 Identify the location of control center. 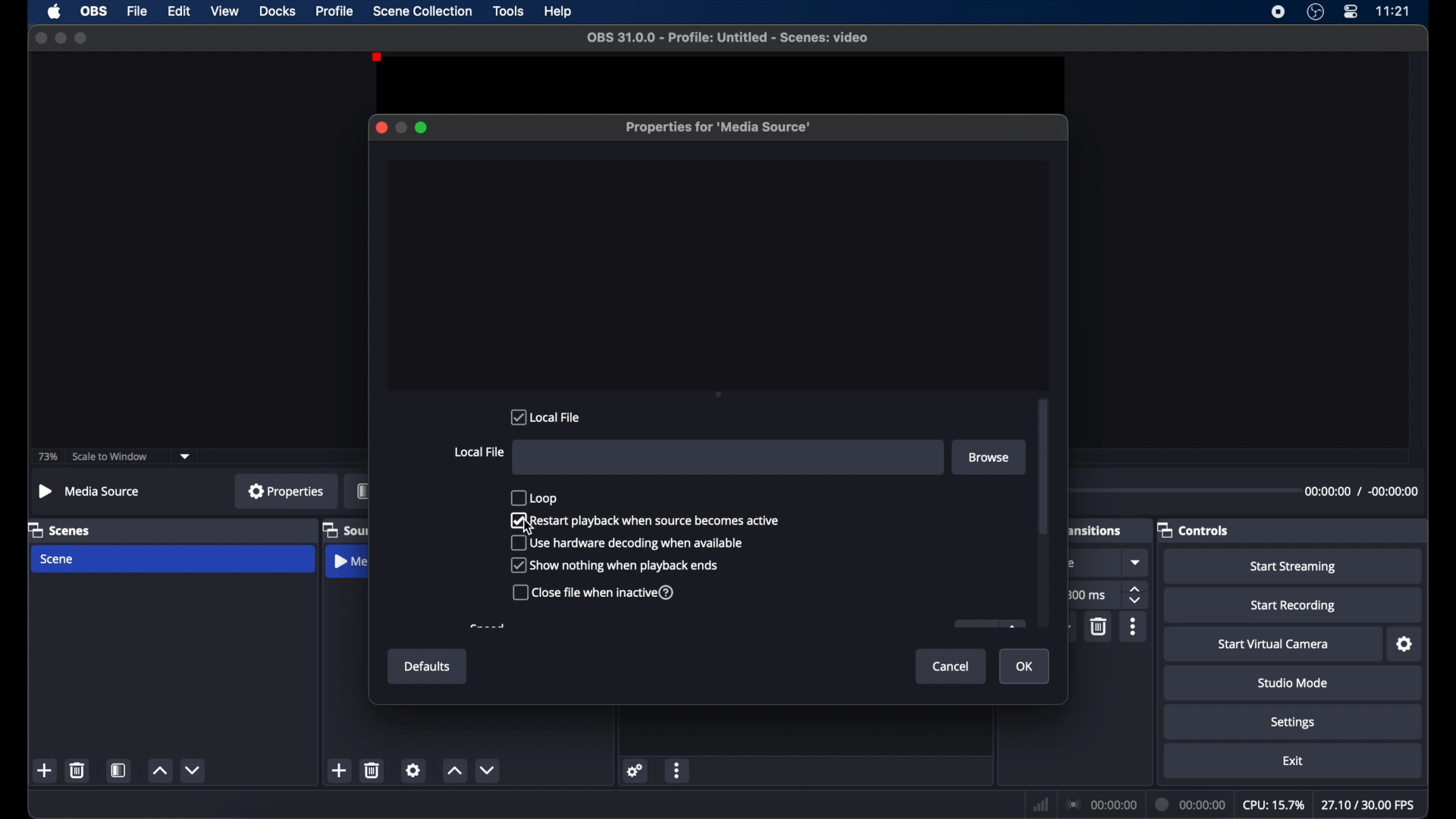
(1350, 12).